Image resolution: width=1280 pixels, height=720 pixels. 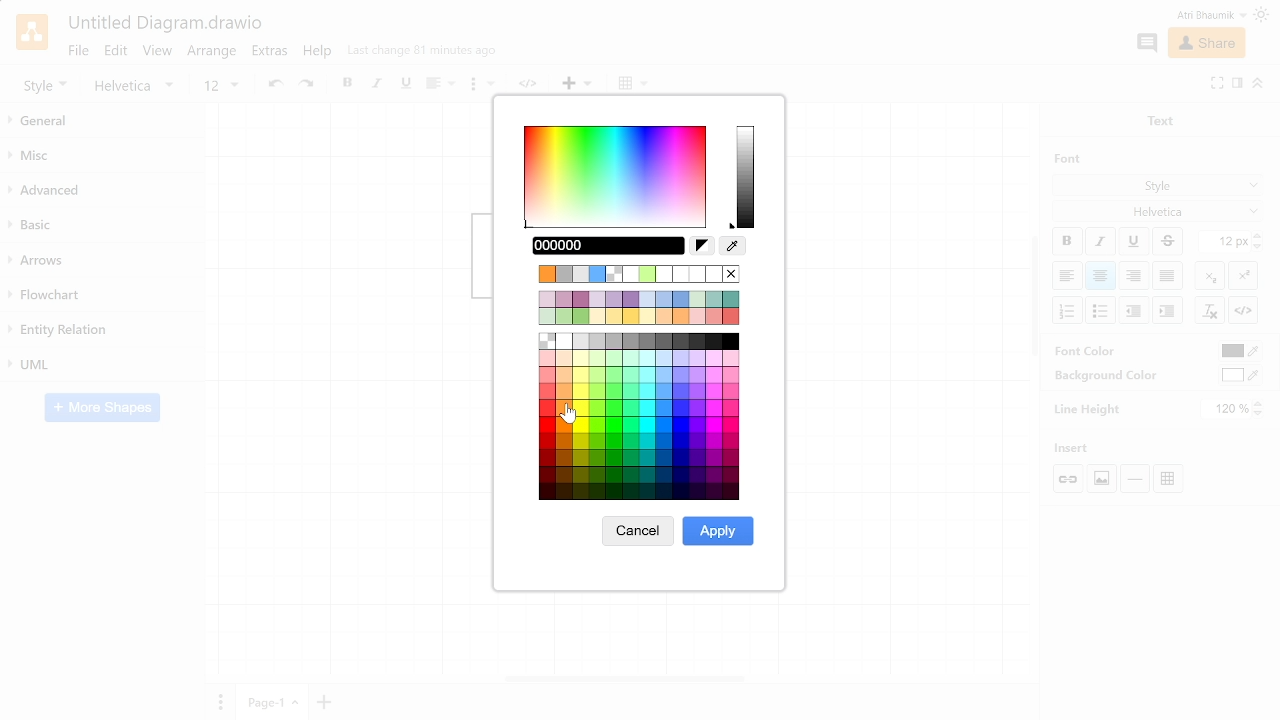 I want to click on Edit, so click(x=116, y=51).